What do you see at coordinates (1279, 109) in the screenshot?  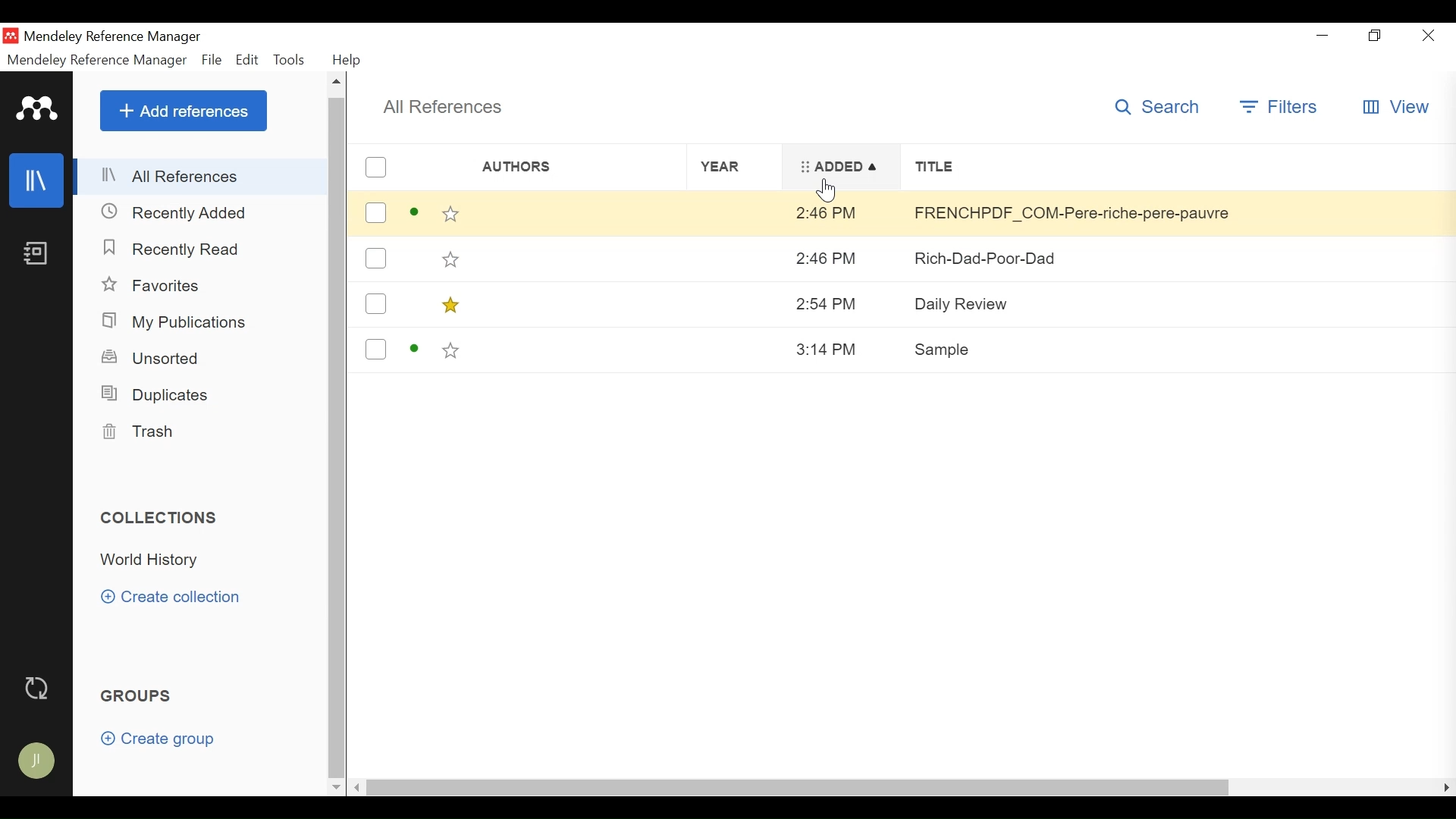 I see `Filter` at bounding box center [1279, 109].